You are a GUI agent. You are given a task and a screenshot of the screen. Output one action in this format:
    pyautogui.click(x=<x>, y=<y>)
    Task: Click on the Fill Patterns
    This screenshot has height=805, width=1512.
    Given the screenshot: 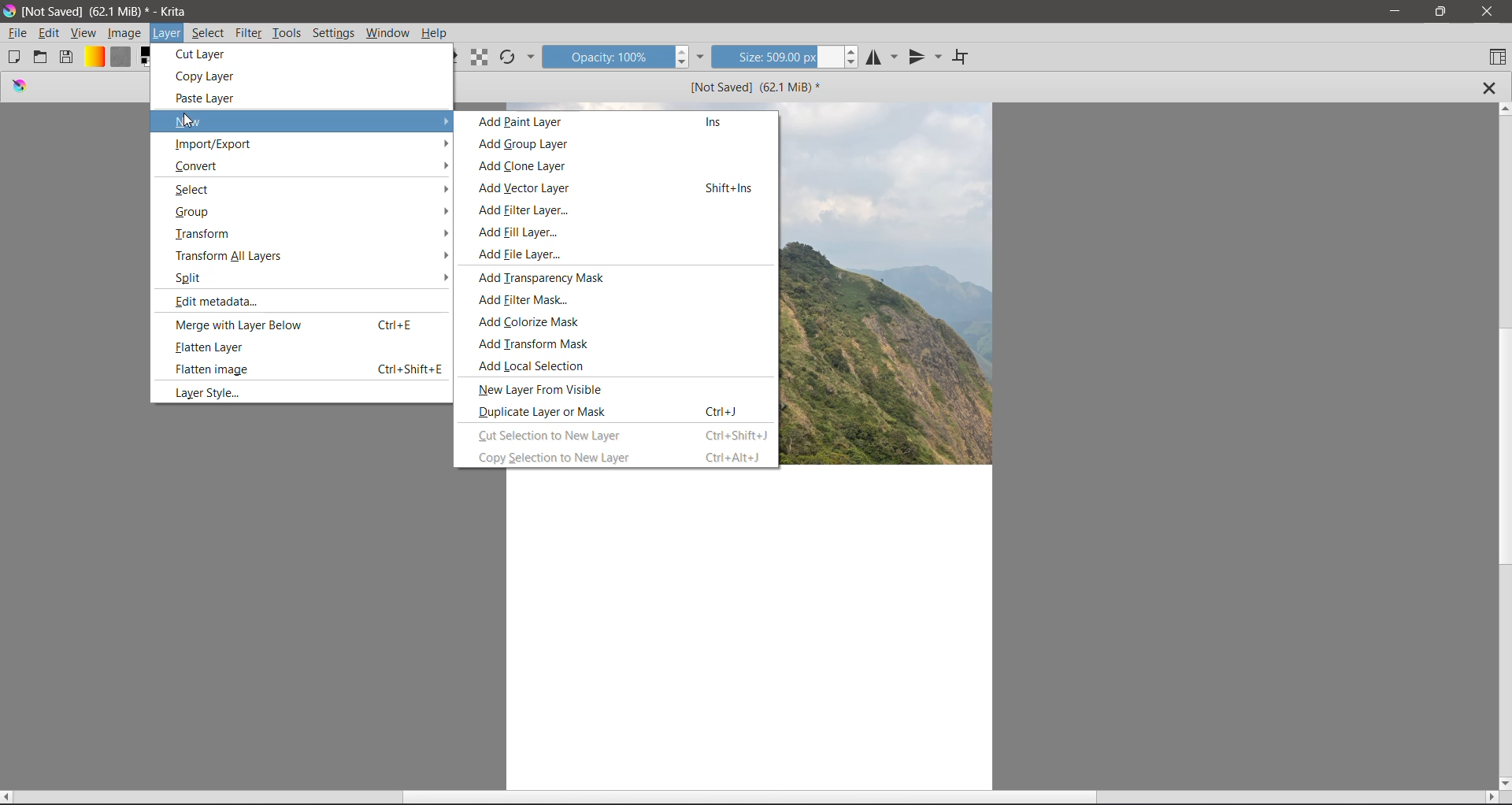 What is the action you would take?
    pyautogui.click(x=120, y=57)
    